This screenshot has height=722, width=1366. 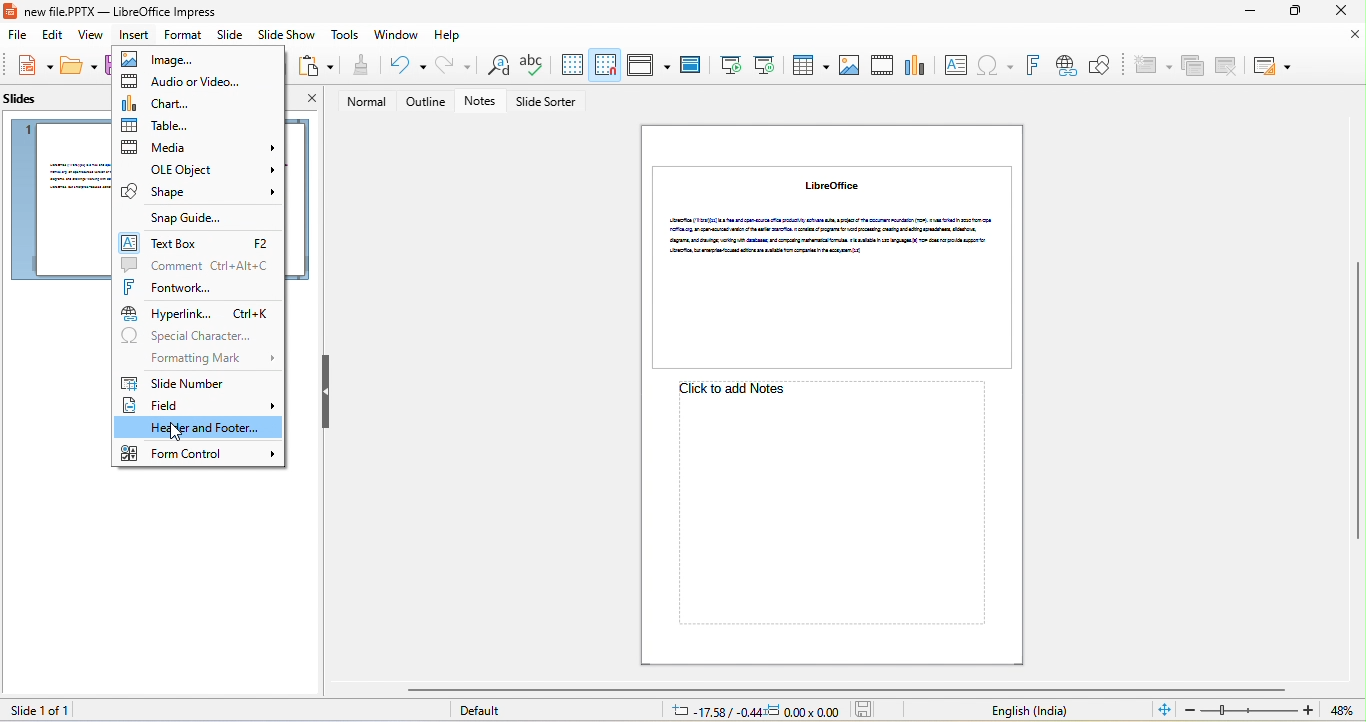 What do you see at coordinates (571, 65) in the screenshot?
I see `display to grid` at bounding box center [571, 65].